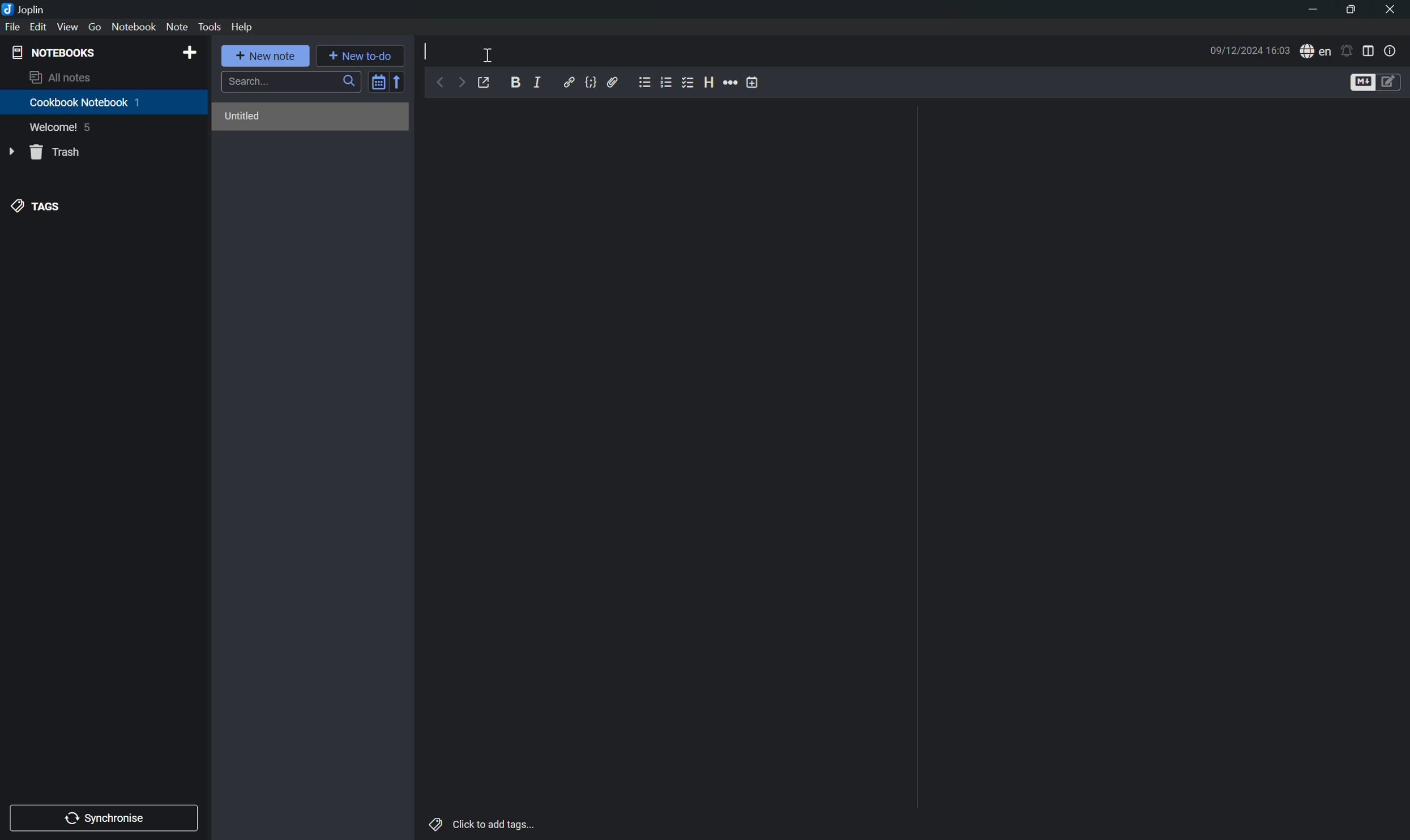 The width and height of the screenshot is (1410, 840). I want to click on Edit, so click(38, 27).